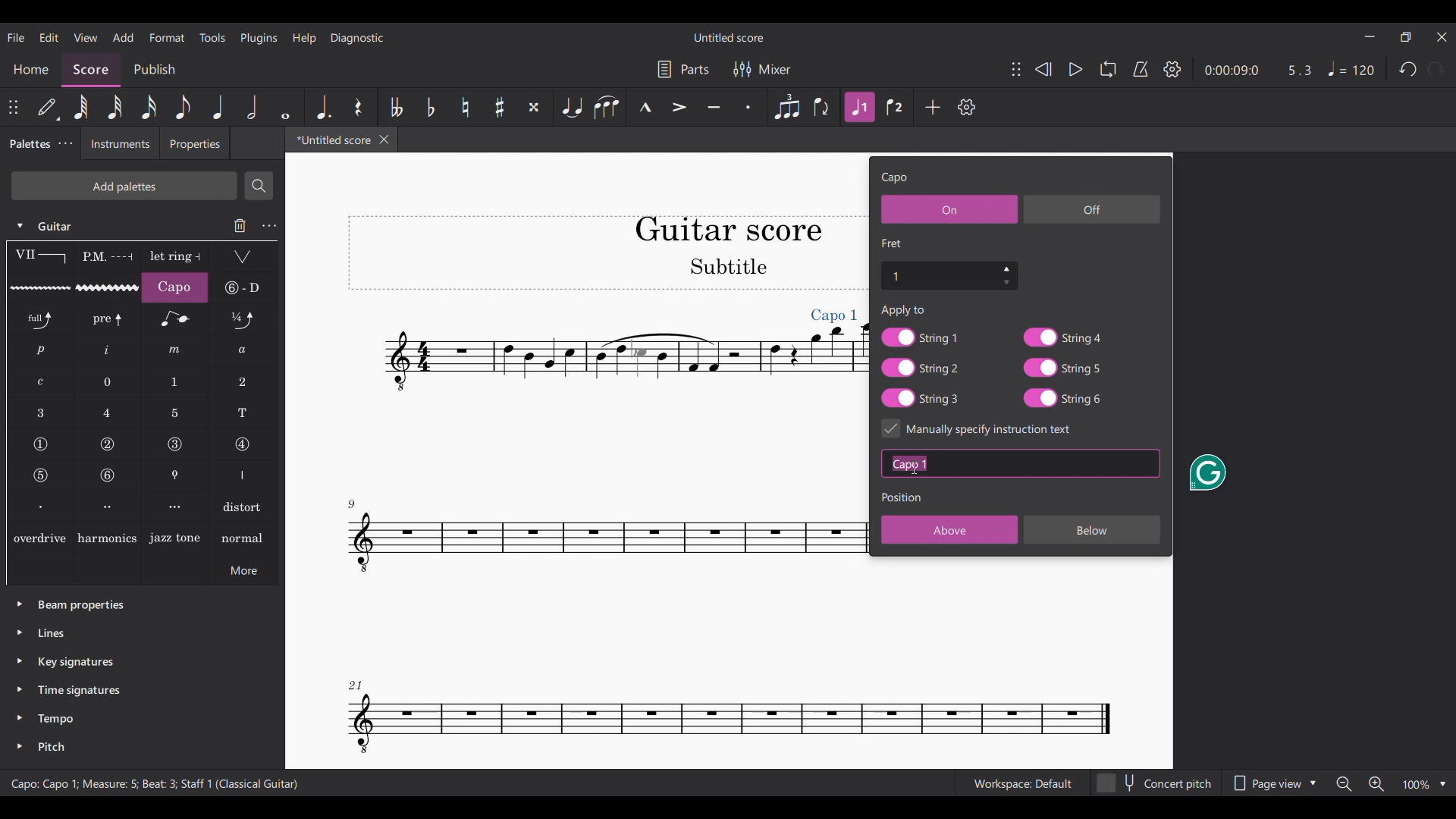  I want to click on LH guitar fingering 4, so click(108, 413).